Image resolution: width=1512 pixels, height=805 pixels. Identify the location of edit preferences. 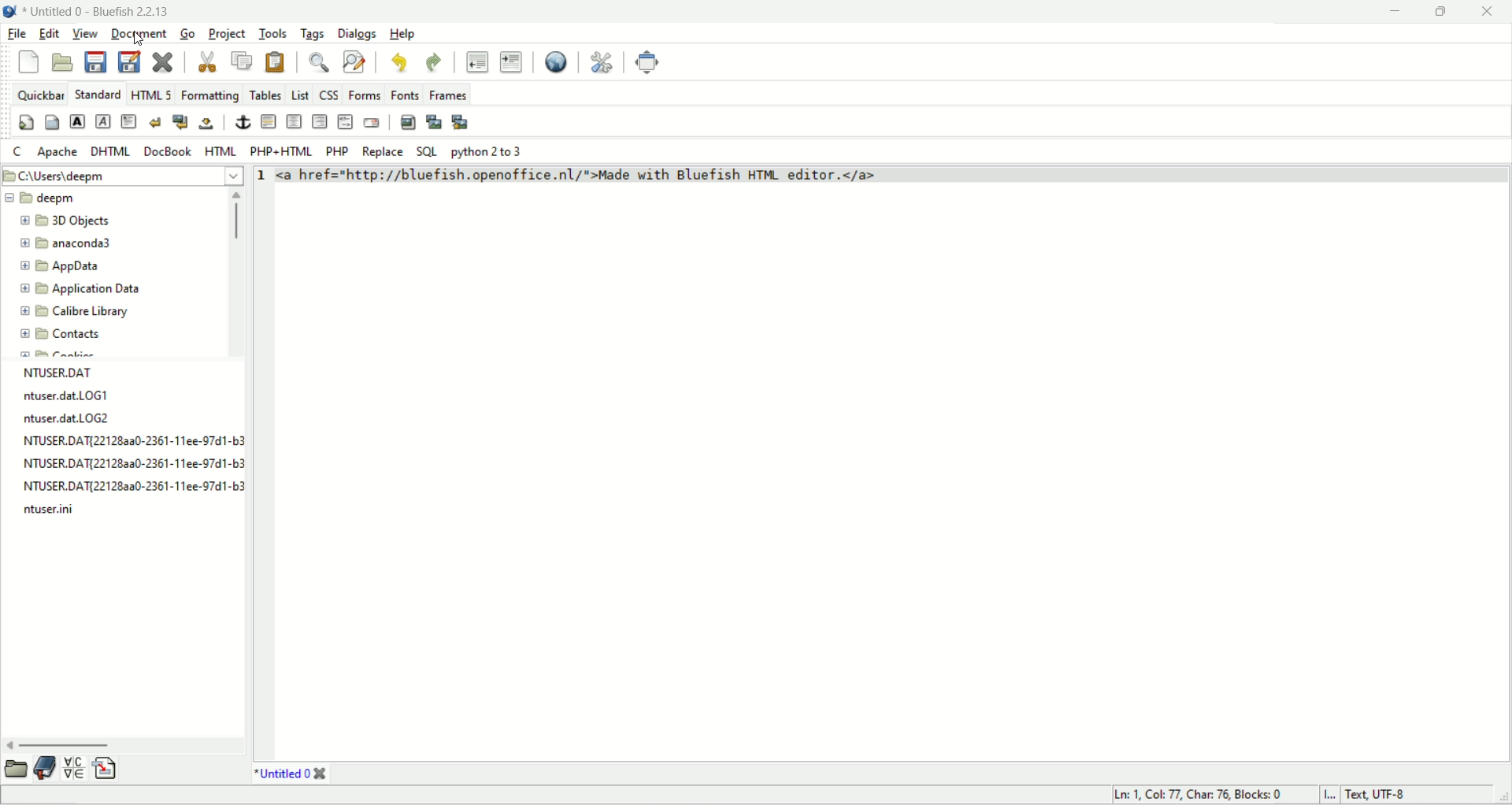
(603, 62).